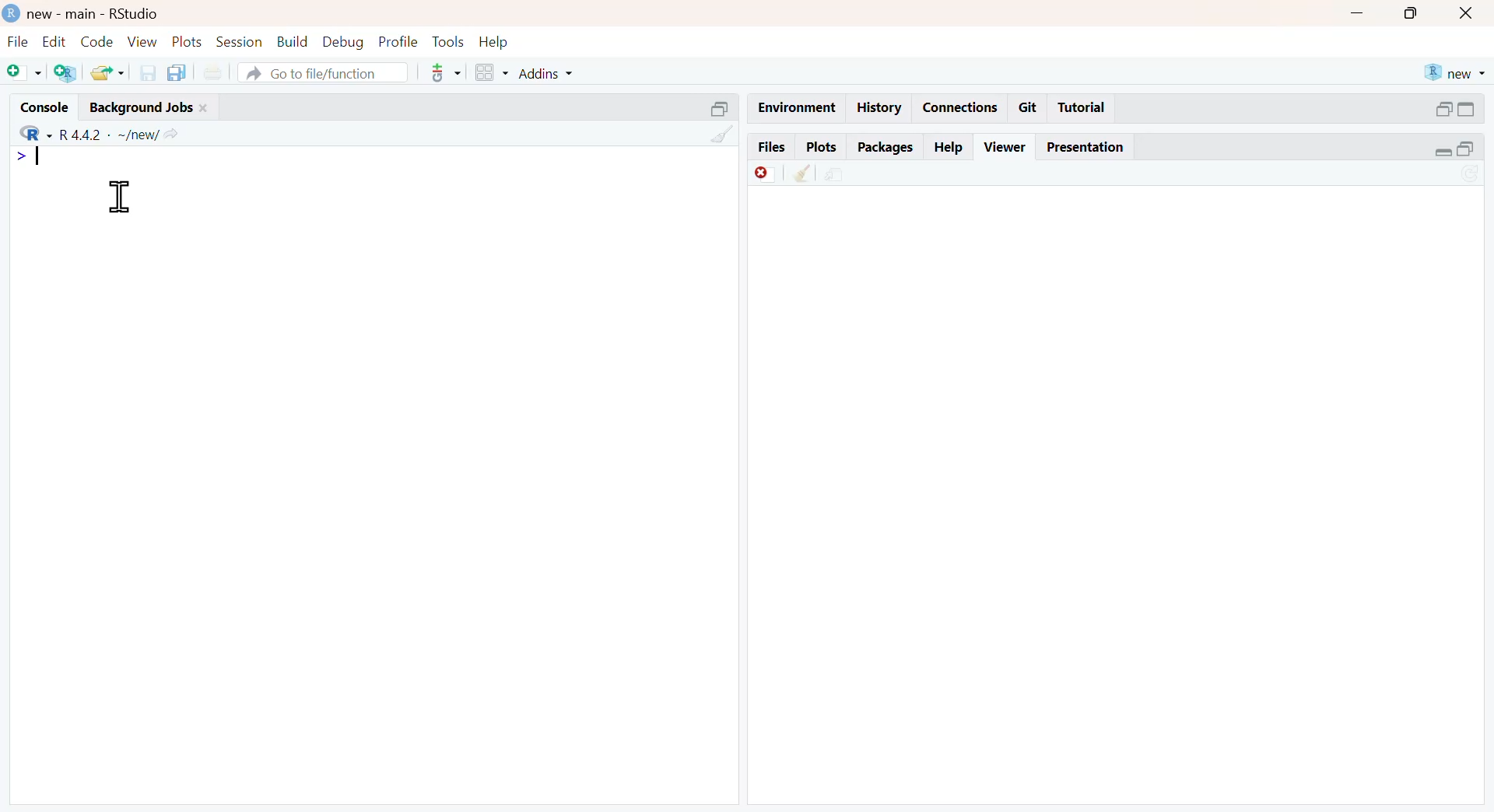  Describe the element at coordinates (1470, 173) in the screenshot. I see `sync` at that location.